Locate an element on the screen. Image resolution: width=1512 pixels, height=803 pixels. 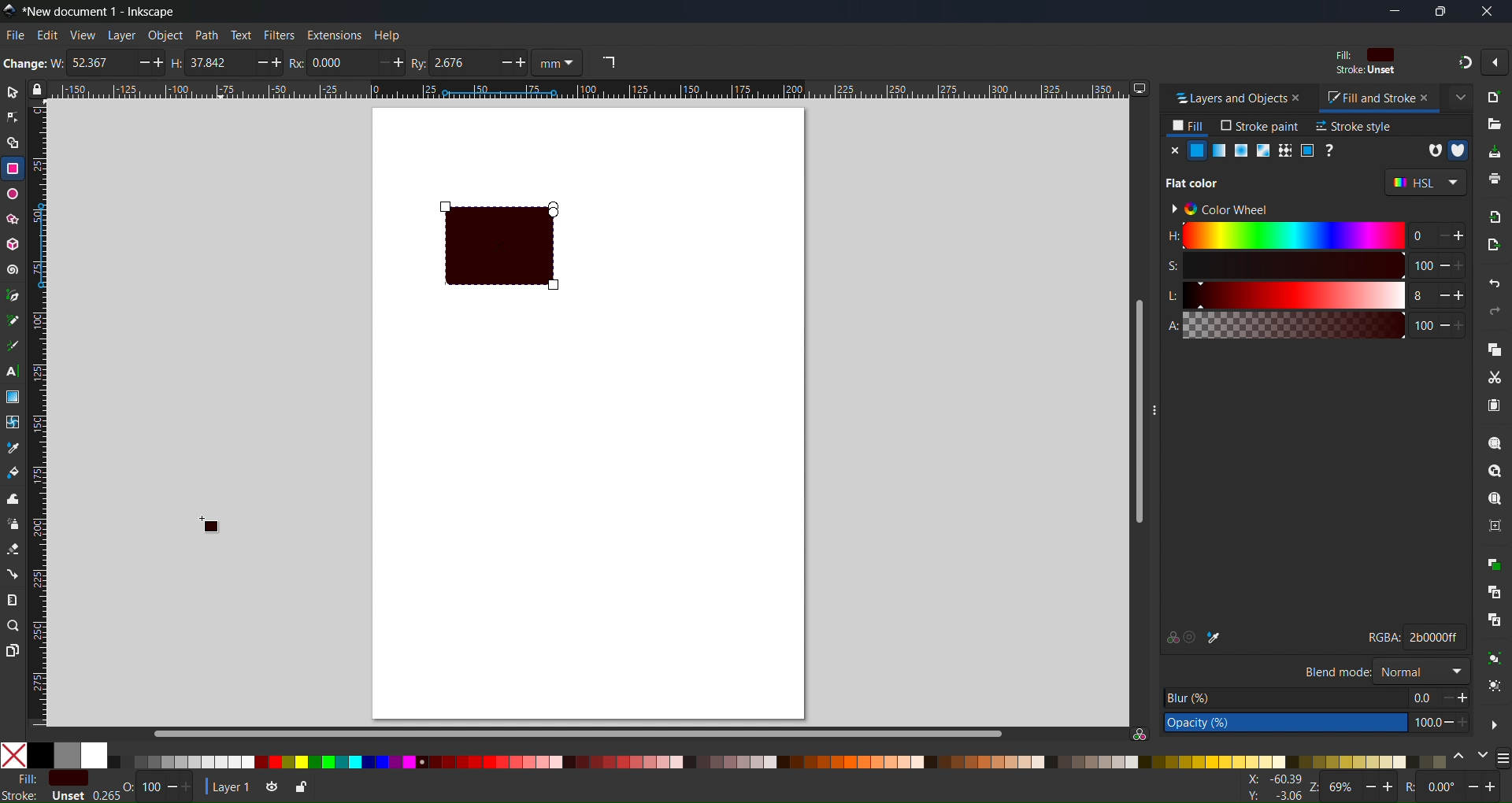
X: -60.39 is located at coordinates (1272, 779).